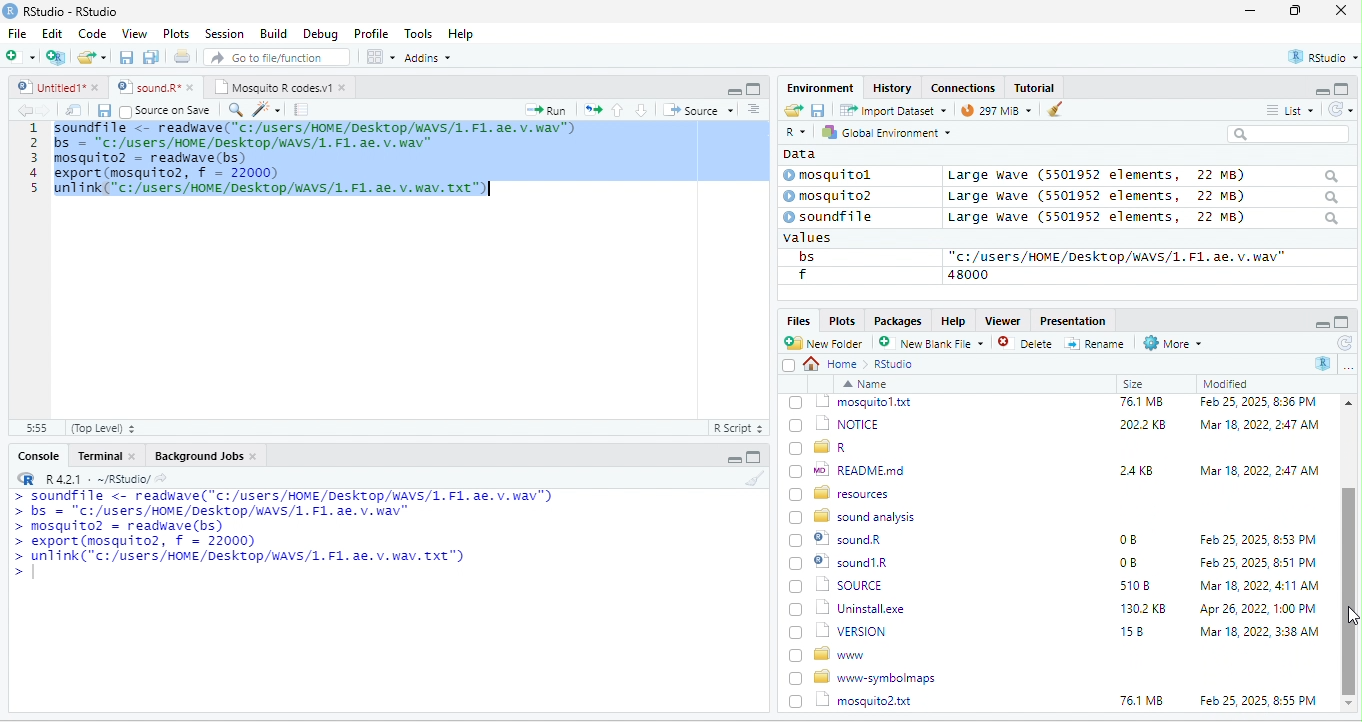 This screenshot has width=1362, height=722. What do you see at coordinates (1028, 344) in the screenshot?
I see `Delete` at bounding box center [1028, 344].